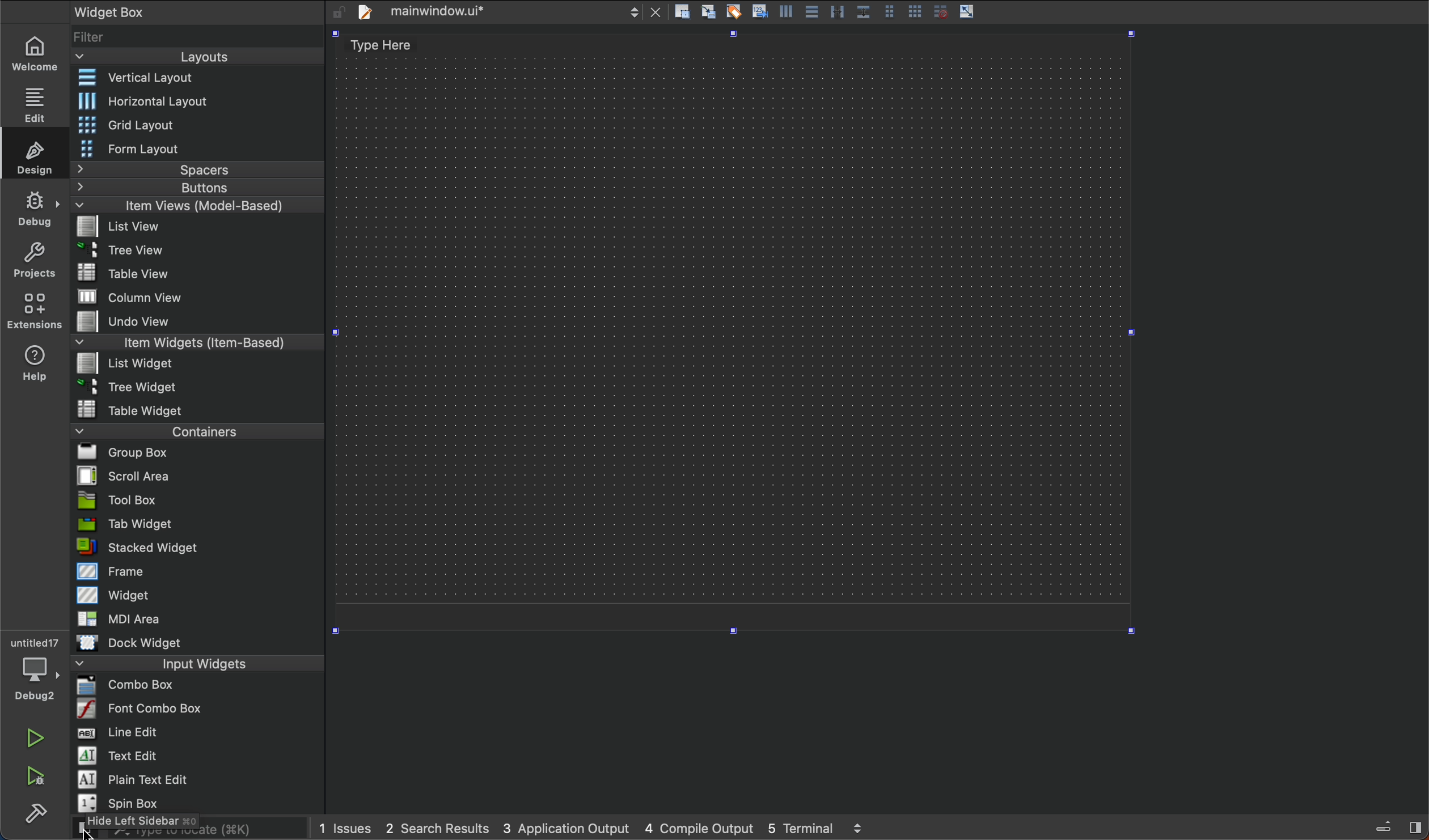  I want to click on Input widgets, so click(200, 663).